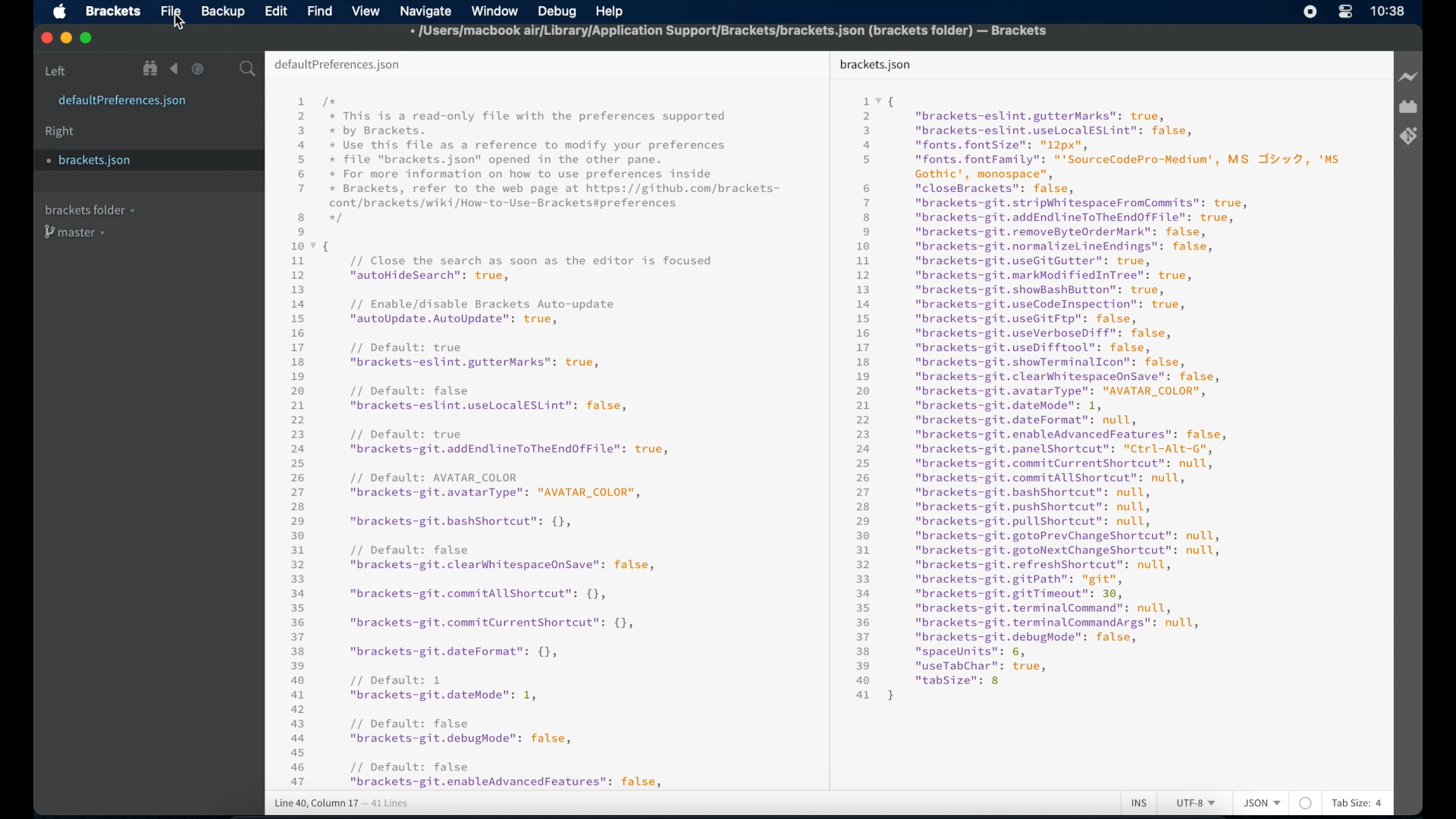  Describe the element at coordinates (495, 11) in the screenshot. I see `window` at that location.